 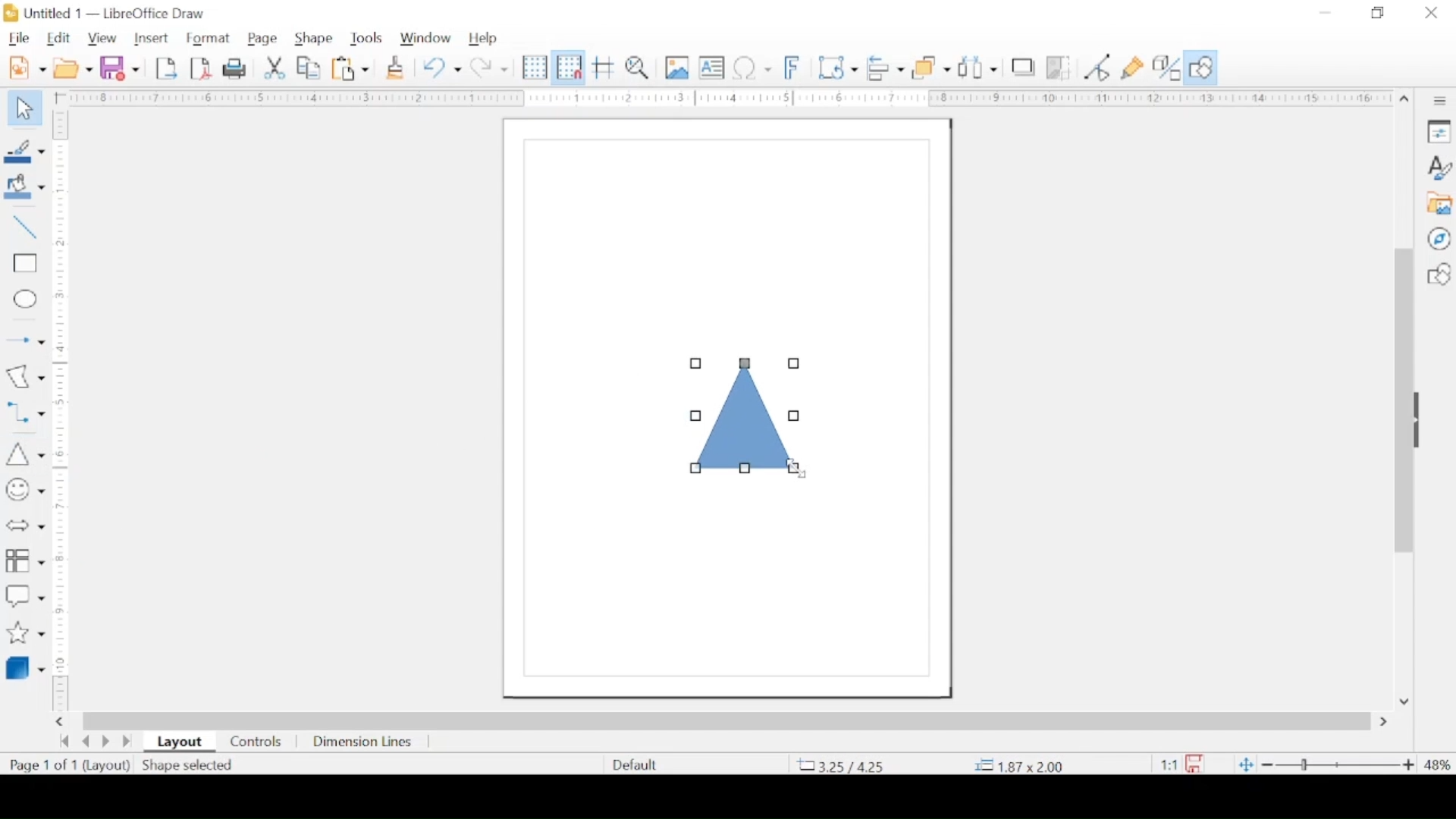 What do you see at coordinates (794, 67) in the screenshot?
I see `insert fontwork text` at bounding box center [794, 67].